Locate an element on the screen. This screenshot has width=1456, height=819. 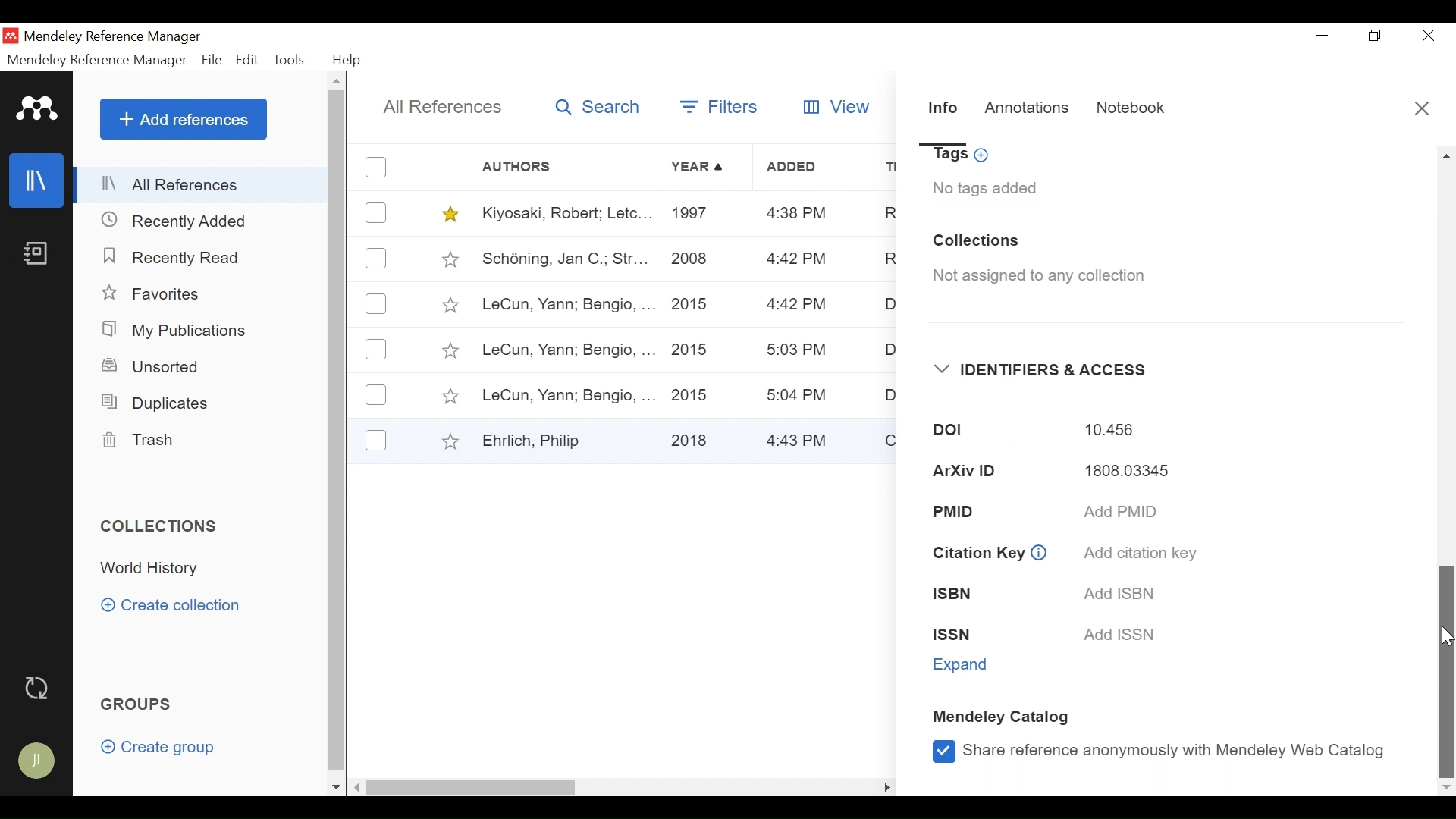
Recently Added is located at coordinates (175, 256).